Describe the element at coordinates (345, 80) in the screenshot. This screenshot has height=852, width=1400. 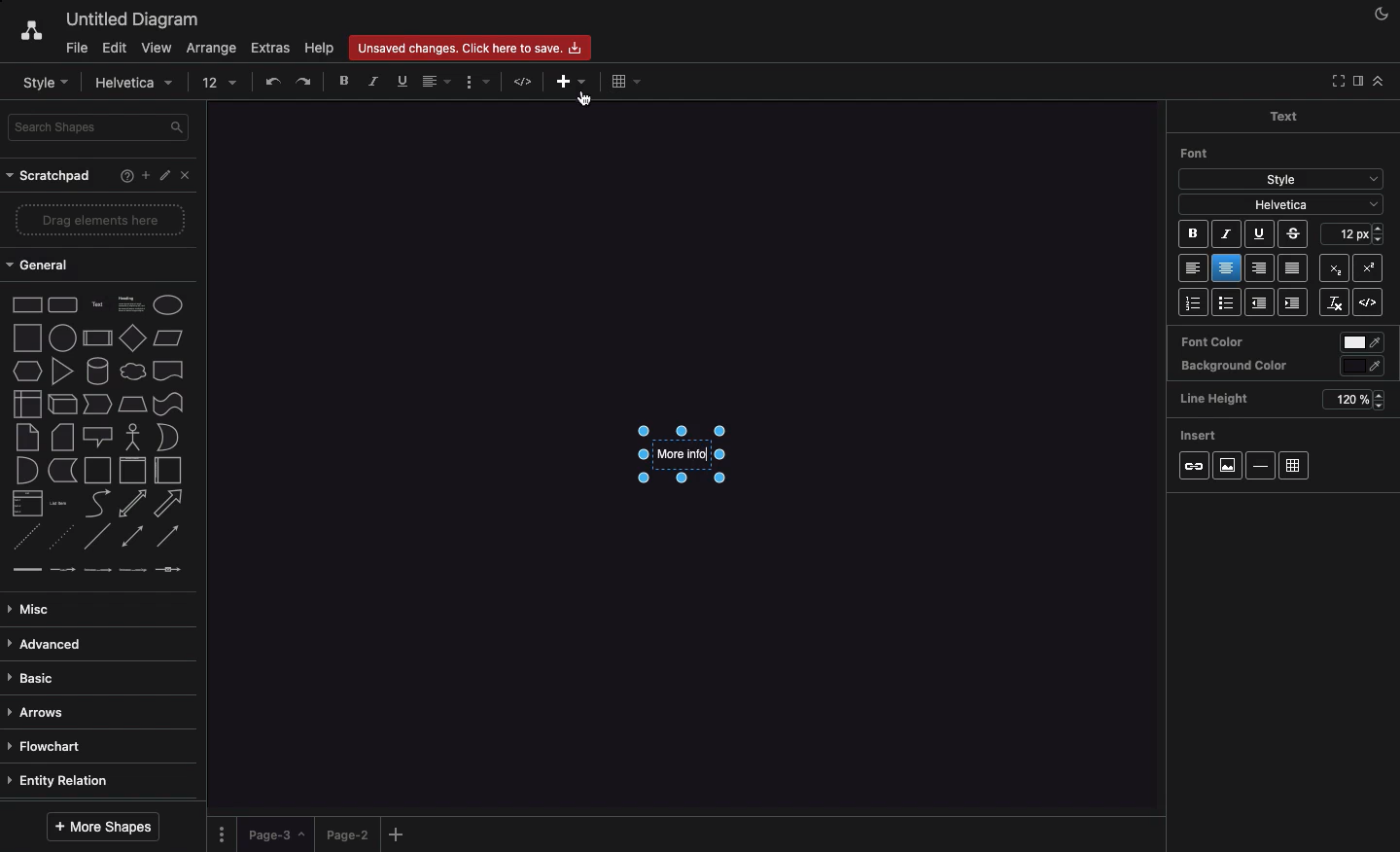
I see `Bold` at that location.